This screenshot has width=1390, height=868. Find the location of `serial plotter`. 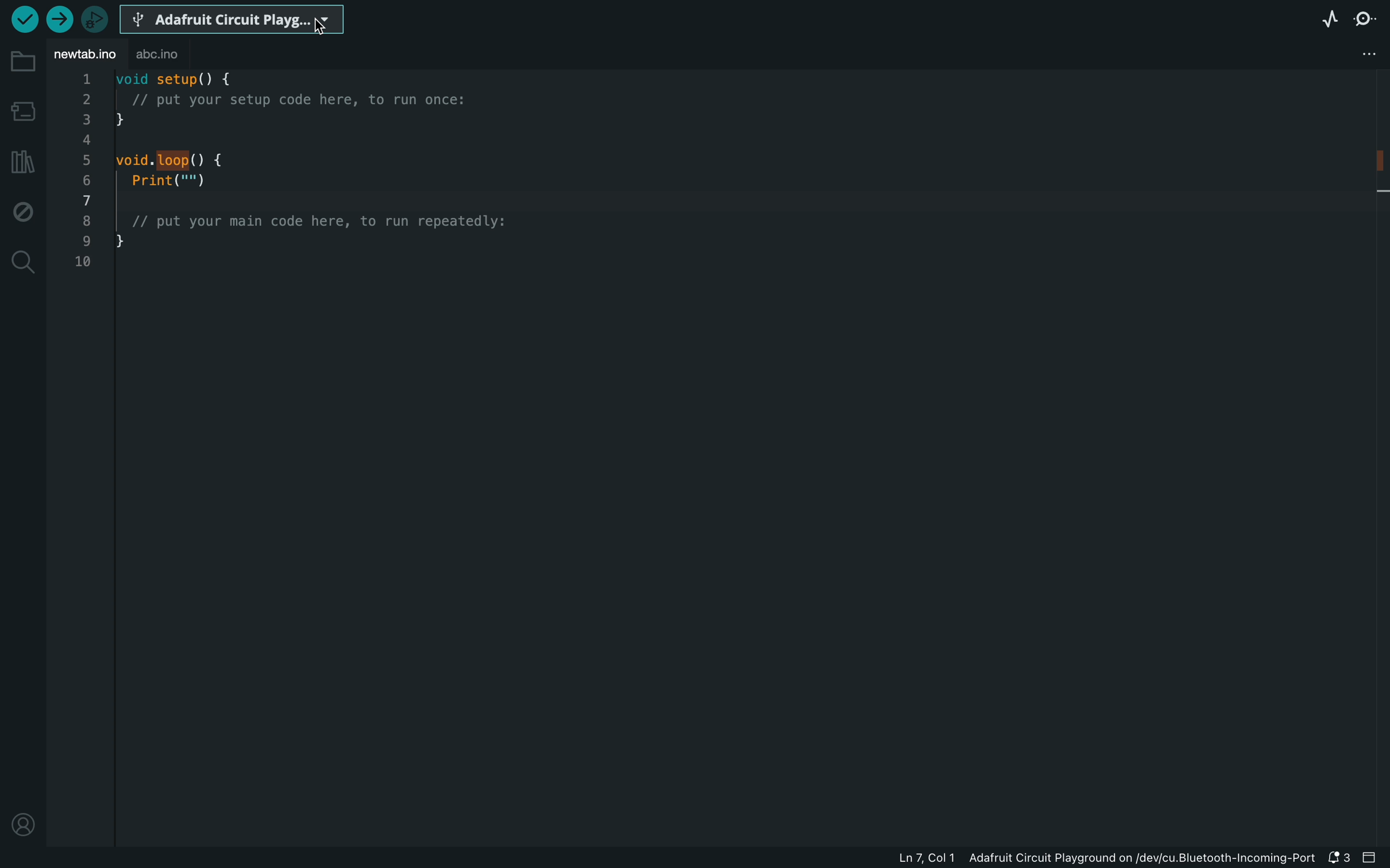

serial plotter is located at coordinates (1328, 19).